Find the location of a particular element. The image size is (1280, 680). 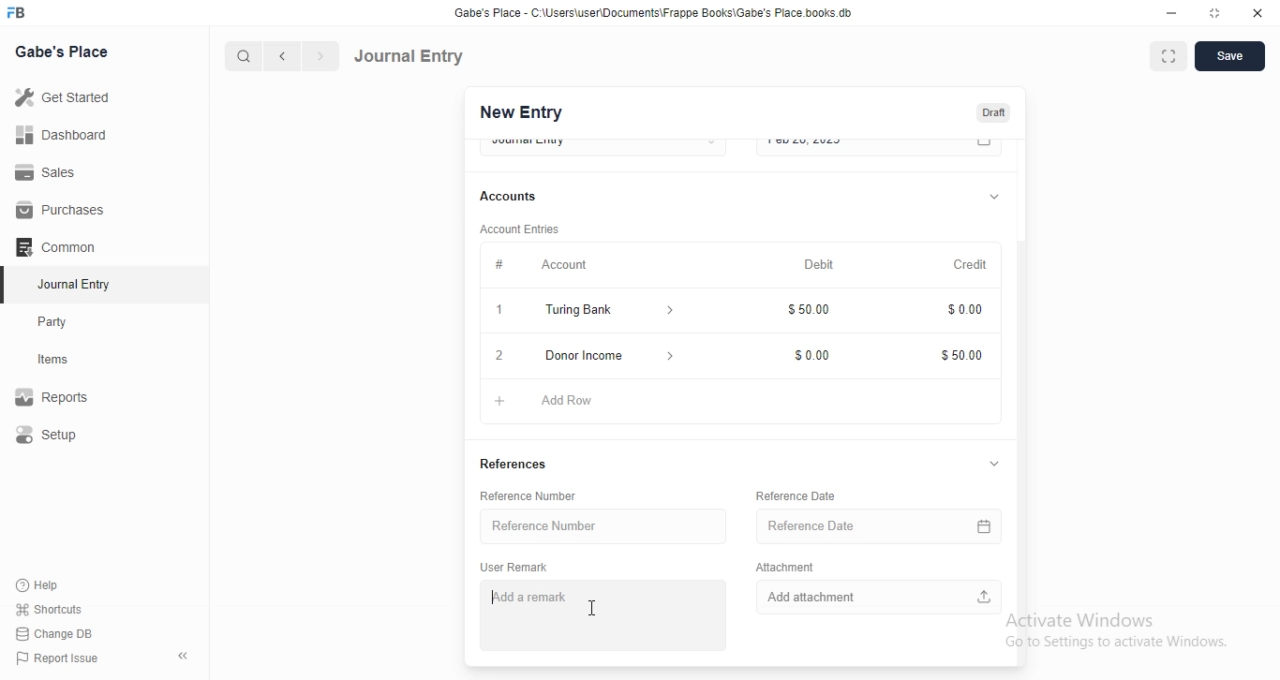

minimize is located at coordinates (1170, 16).